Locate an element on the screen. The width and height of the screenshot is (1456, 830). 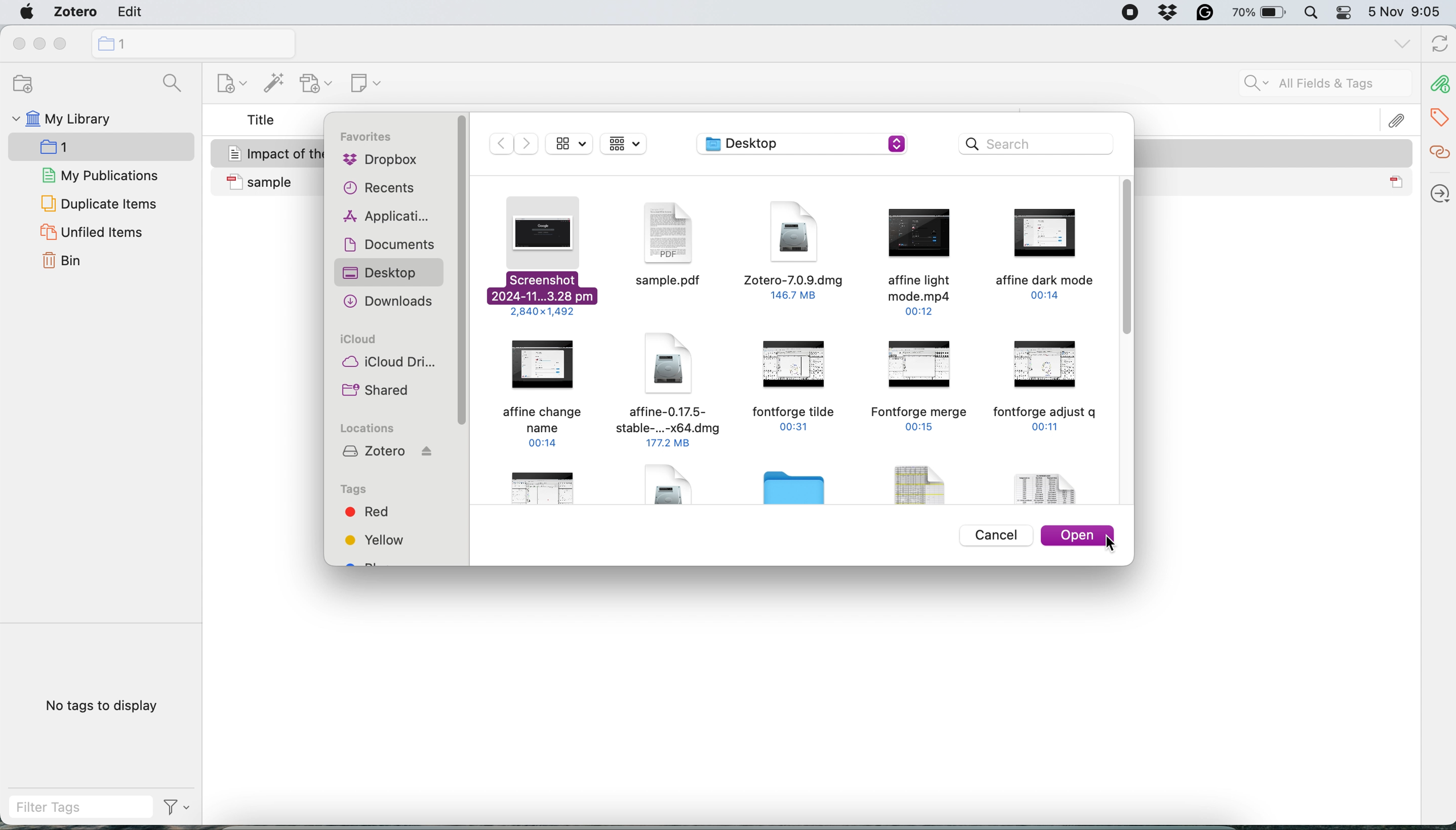
fontforge adjust q is located at coordinates (1045, 383).